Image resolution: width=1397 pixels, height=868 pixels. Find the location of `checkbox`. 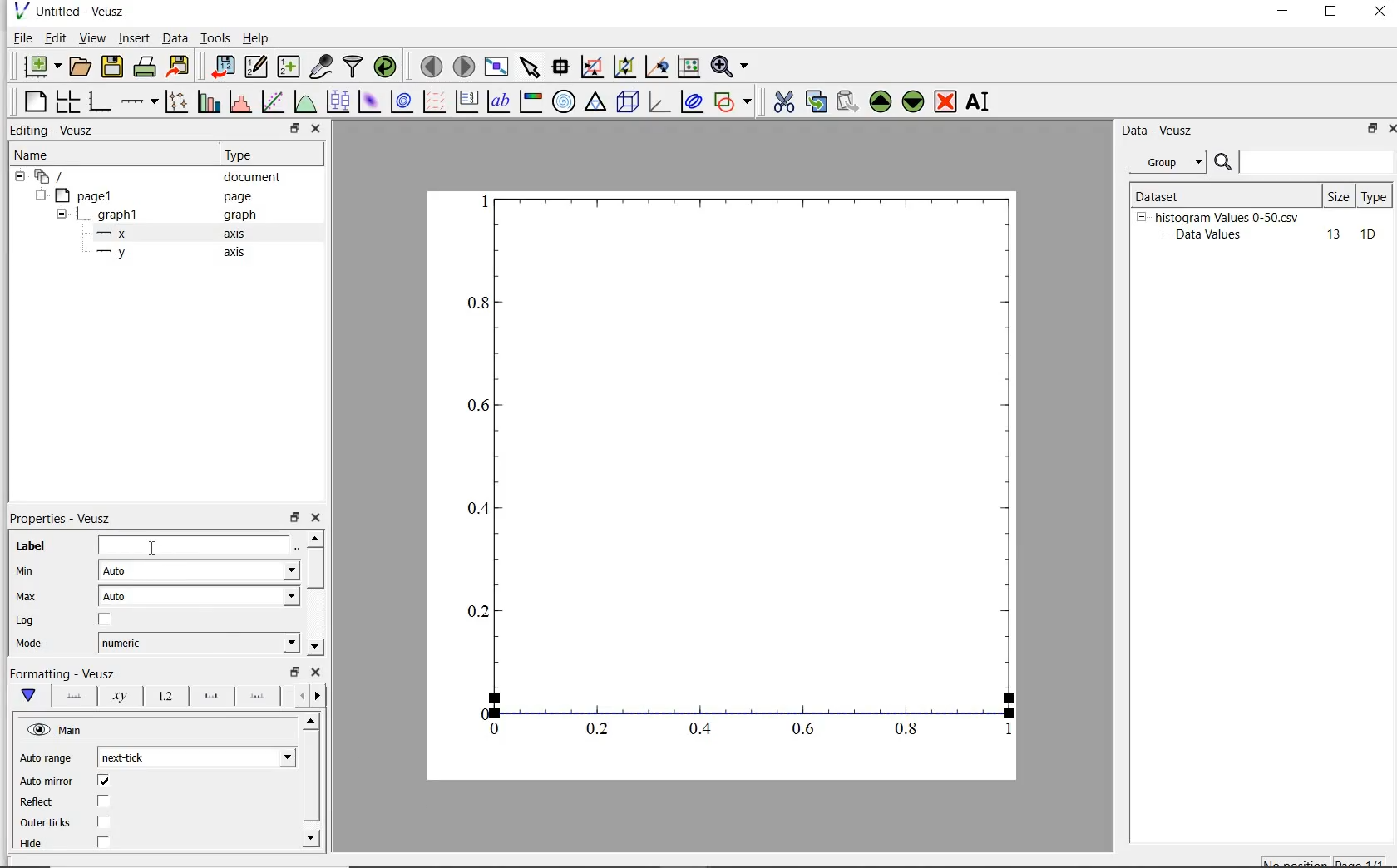

checkbox is located at coordinates (104, 782).